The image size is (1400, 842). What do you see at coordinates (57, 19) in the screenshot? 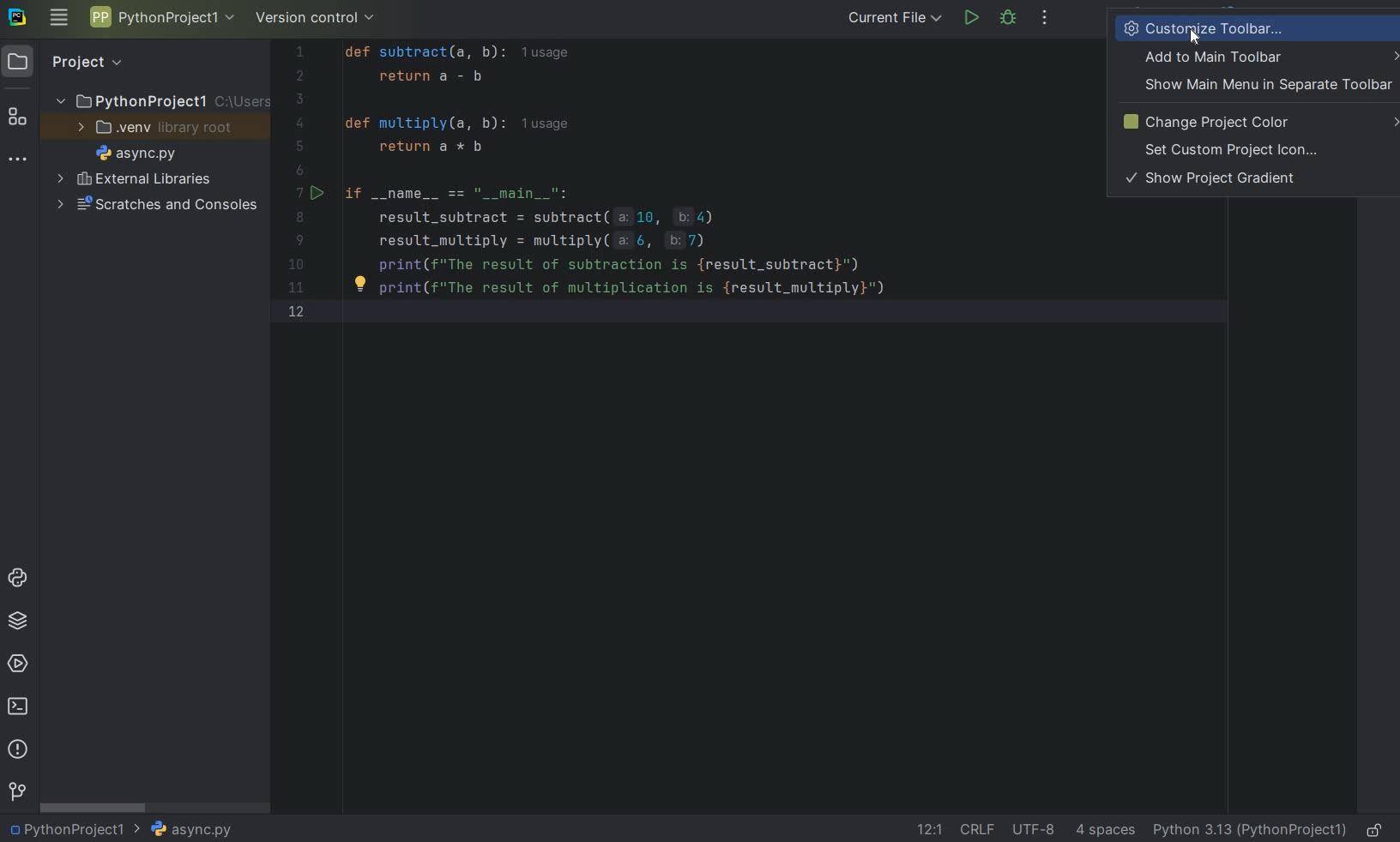
I see `MAIN MENU` at bounding box center [57, 19].